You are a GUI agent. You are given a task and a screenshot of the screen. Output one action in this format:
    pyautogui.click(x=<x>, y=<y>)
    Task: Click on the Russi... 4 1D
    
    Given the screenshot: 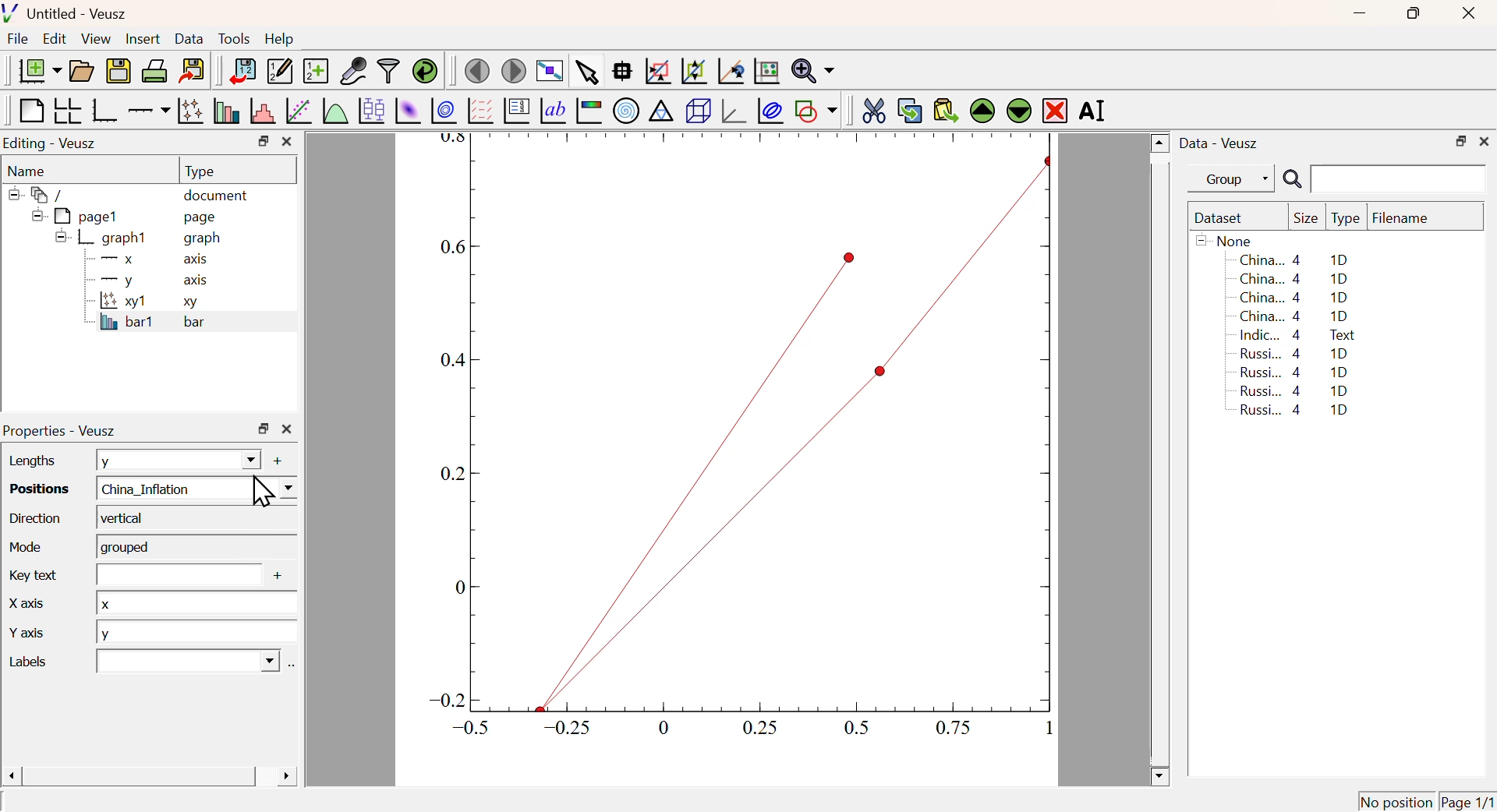 What is the action you would take?
    pyautogui.click(x=1294, y=372)
    